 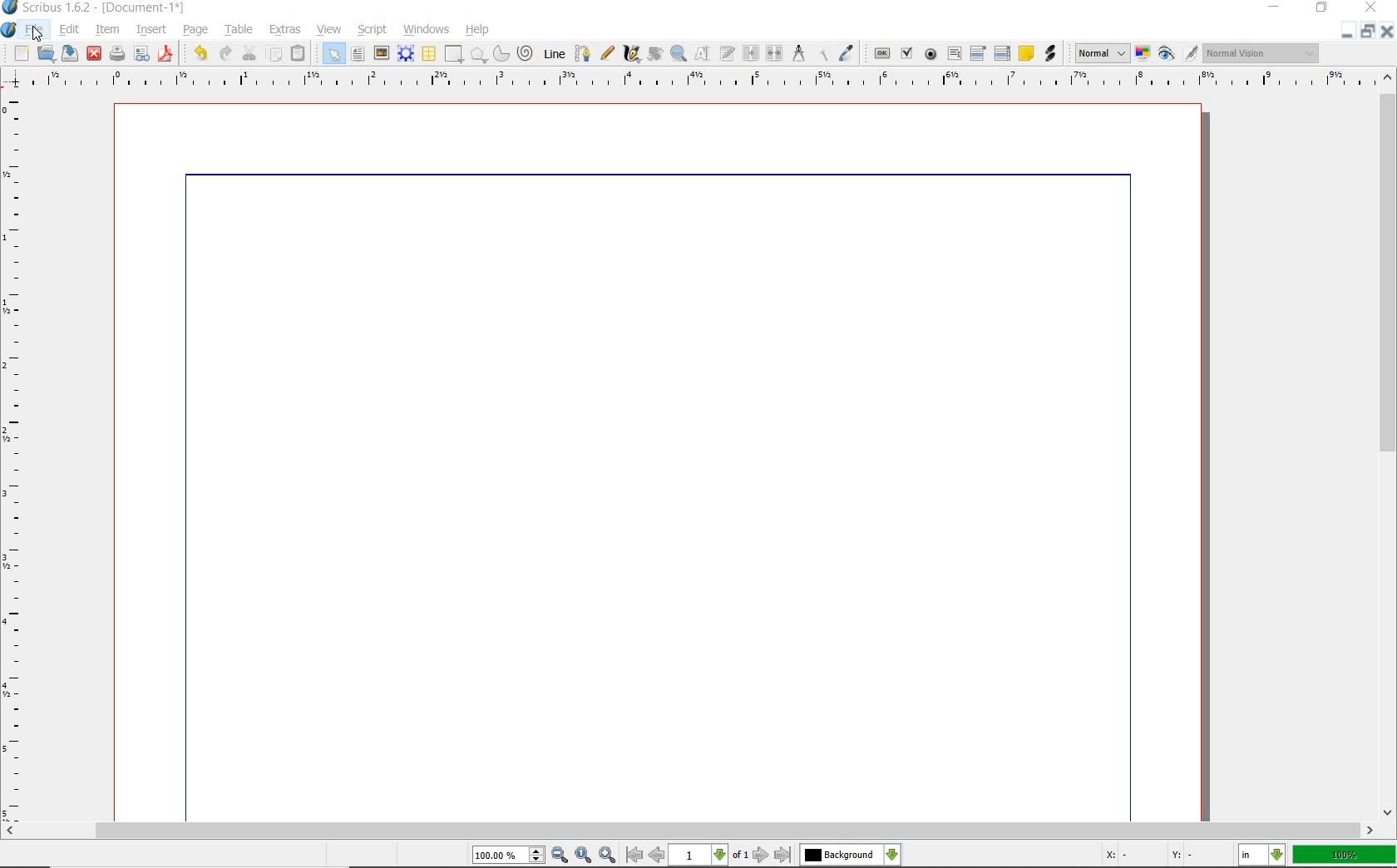 What do you see at coordinates (17, 456) in the screenshot?
I see `ruler` at bounding box center [17, 456].